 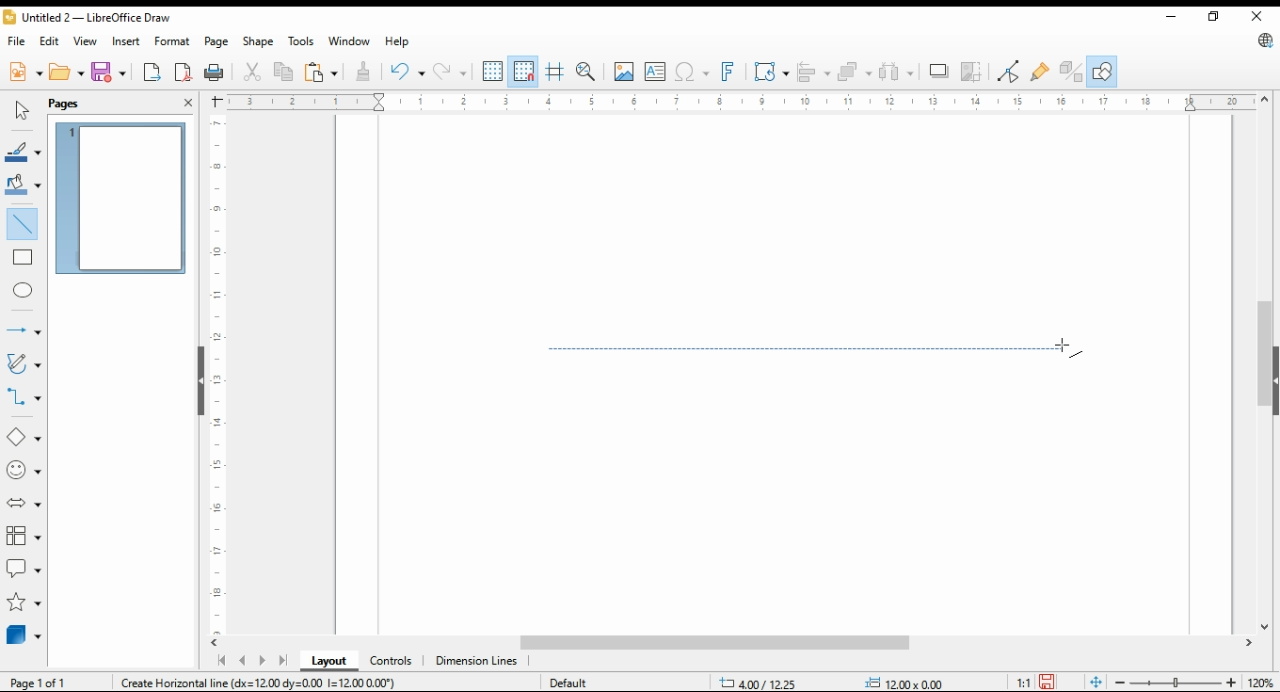 What do you see at coordinates (557, 71) in the screenshot?
I see `helplines while moving` at bounding box center [557, 71].